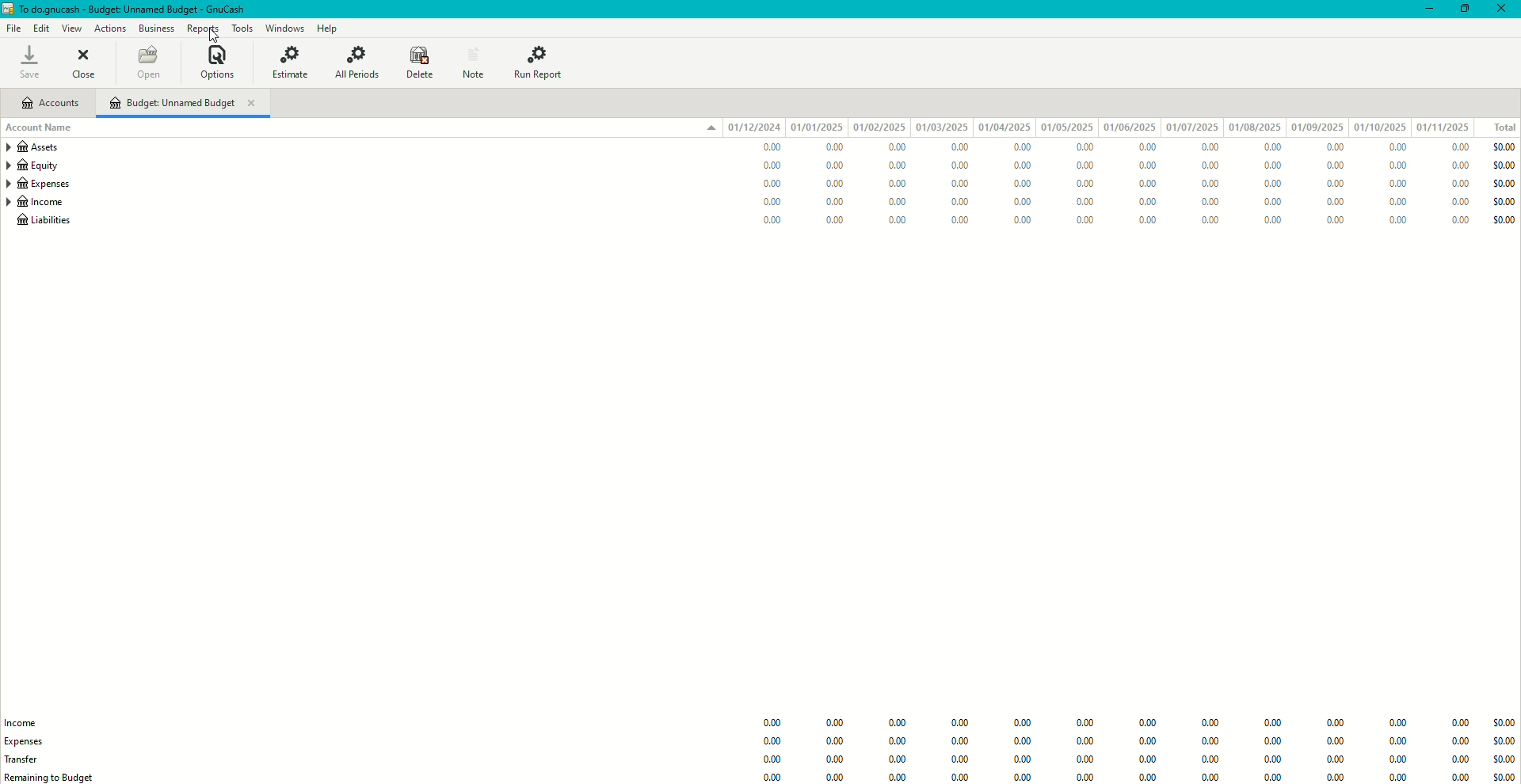 The width and height of the screenshot is (1521, 784). Describe the element at coordinates (1504, 10) in the screenshot. I see `Close` at that location.